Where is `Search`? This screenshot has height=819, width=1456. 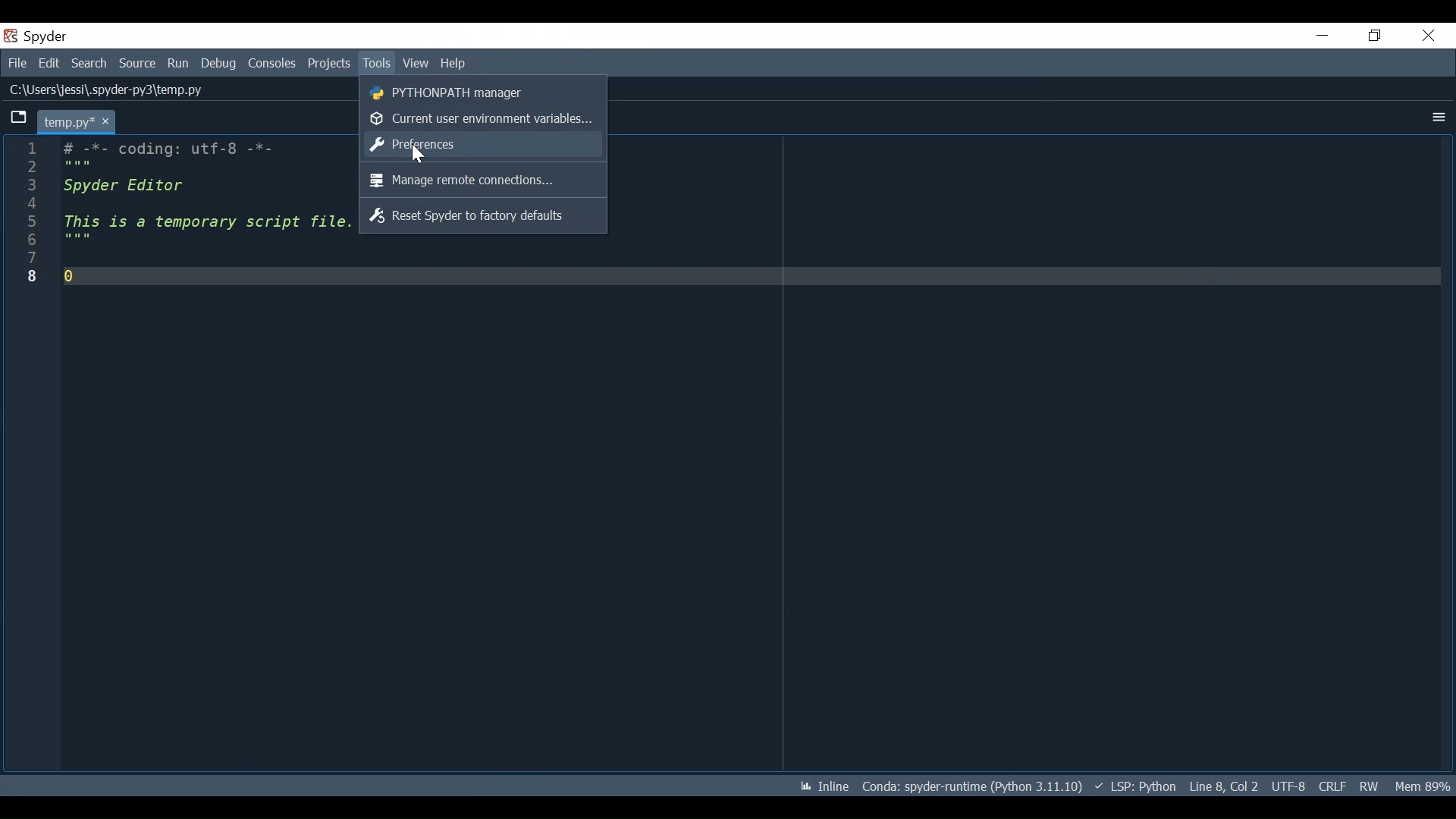 Search is located at coordinates (89, 63).